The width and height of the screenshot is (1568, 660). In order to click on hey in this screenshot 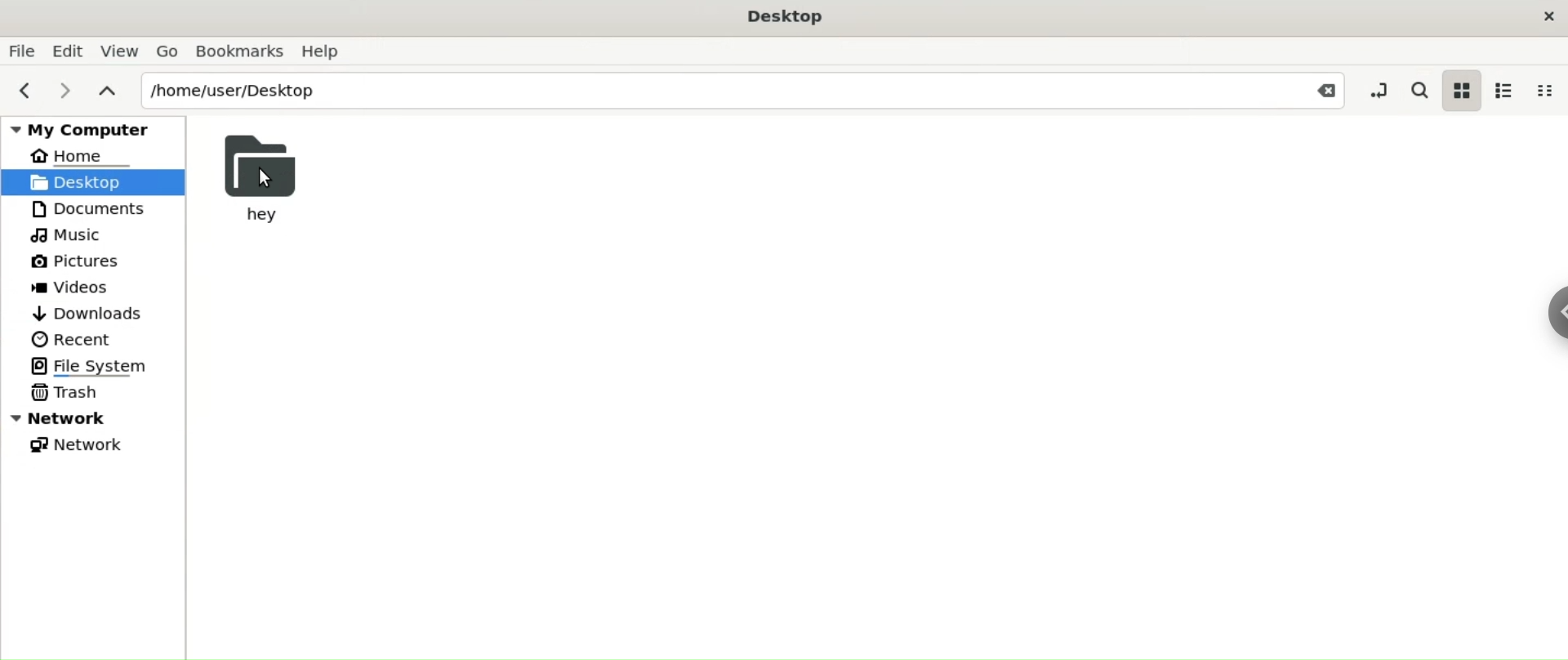, I will do `click(273, 178)`.